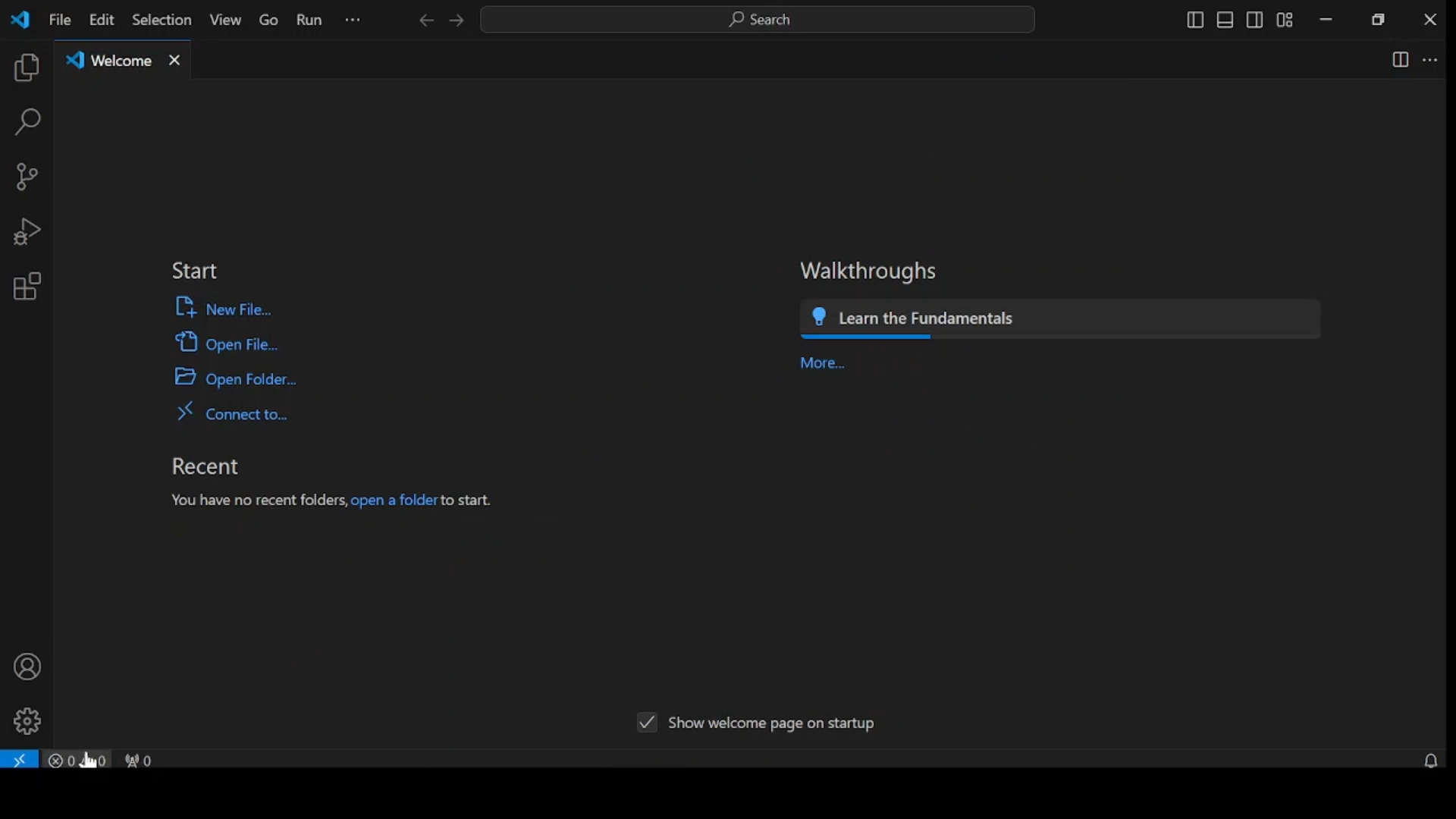  Describe the element at coordinates (1381, 20) in the screenshot. I see `restore down` at that location.